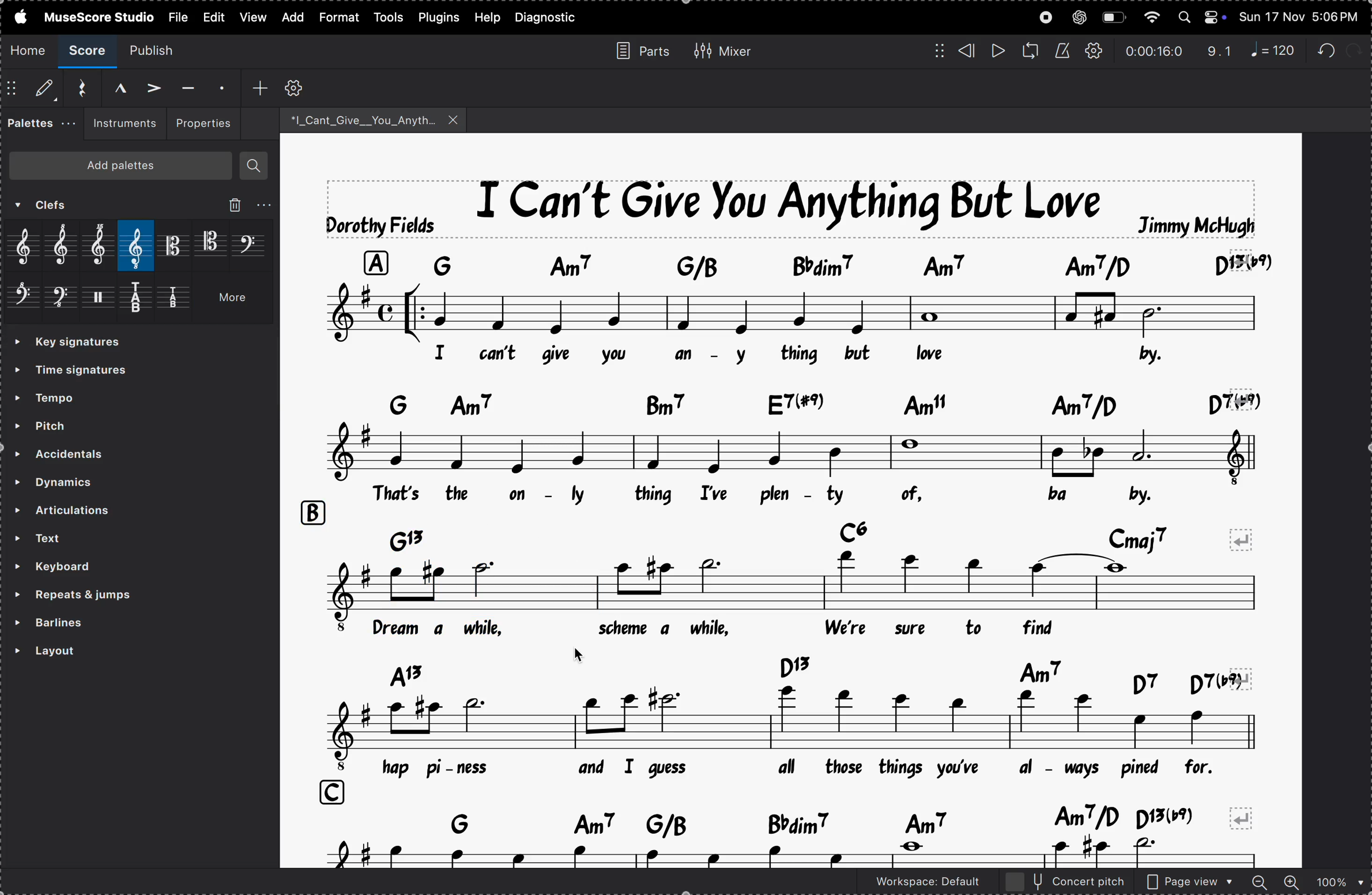  Describe the element at coordinates (927, 592) in the screenshot. I see `notes` at that location.